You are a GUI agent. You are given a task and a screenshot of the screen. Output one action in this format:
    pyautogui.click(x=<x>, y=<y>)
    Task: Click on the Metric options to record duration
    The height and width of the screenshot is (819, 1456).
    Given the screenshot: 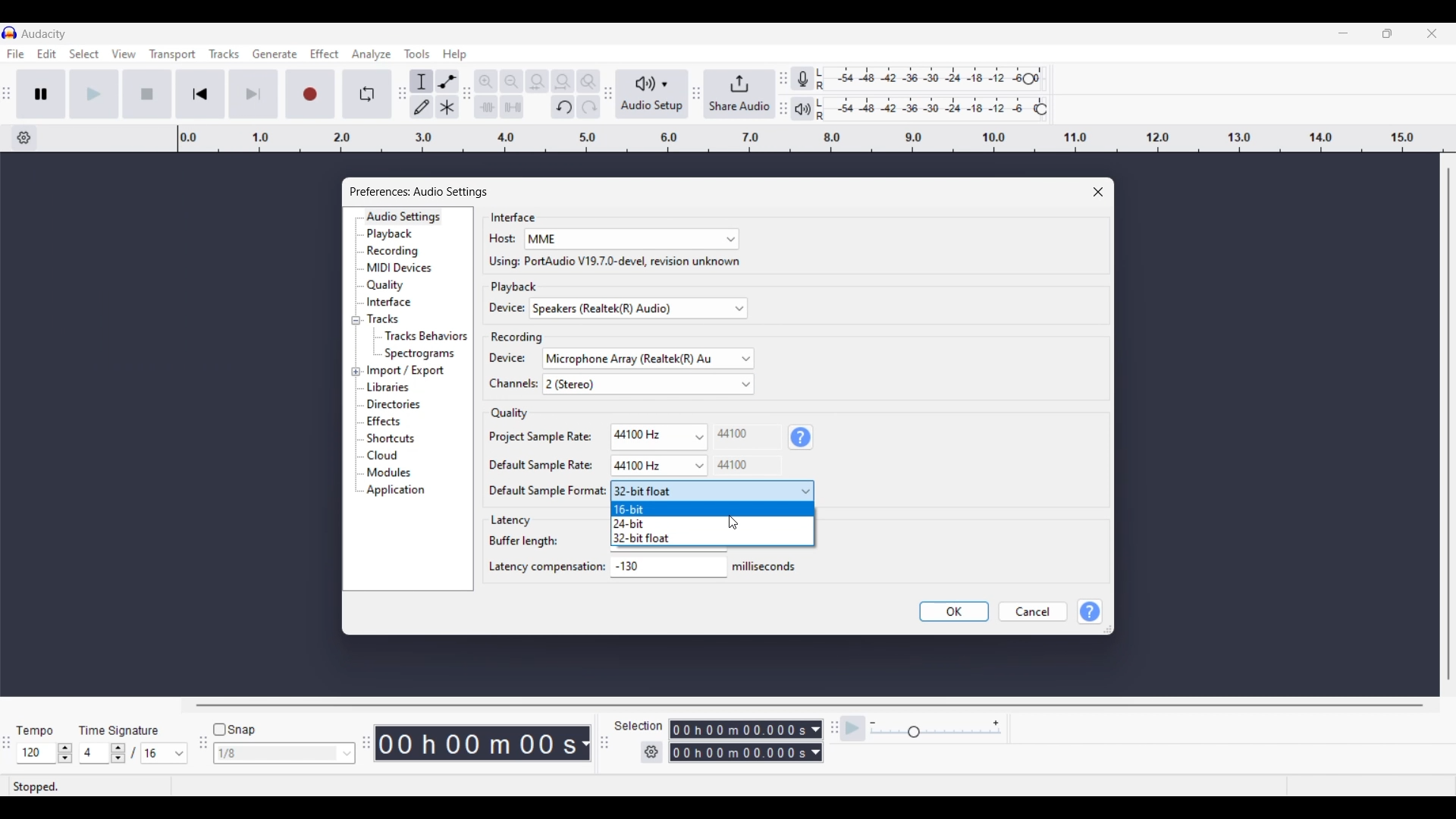 What is the action you would take?
    pyautogui.click(x=814, y=742)
    